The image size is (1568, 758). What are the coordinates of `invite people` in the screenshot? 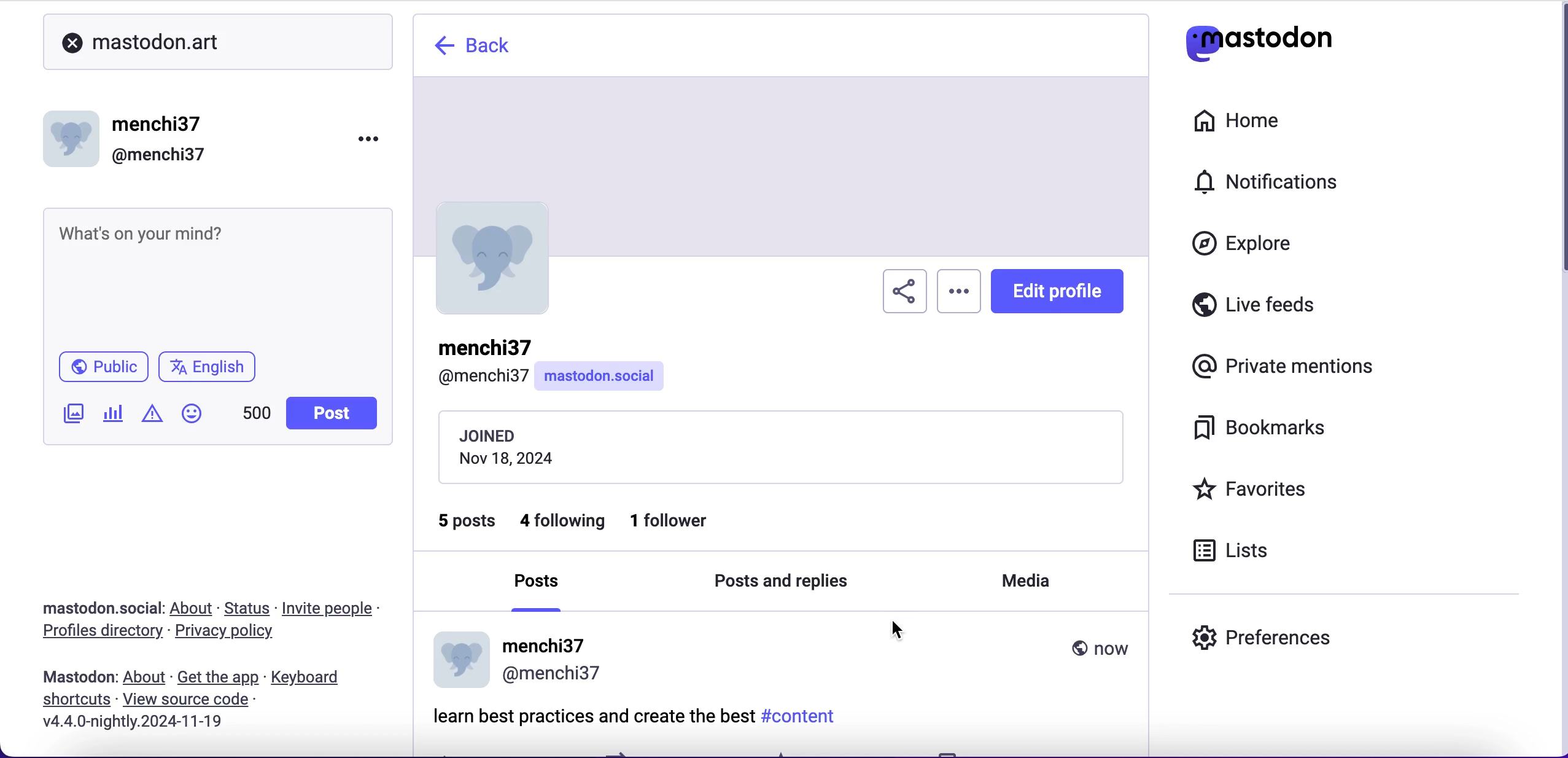 It's located at (340, 608).